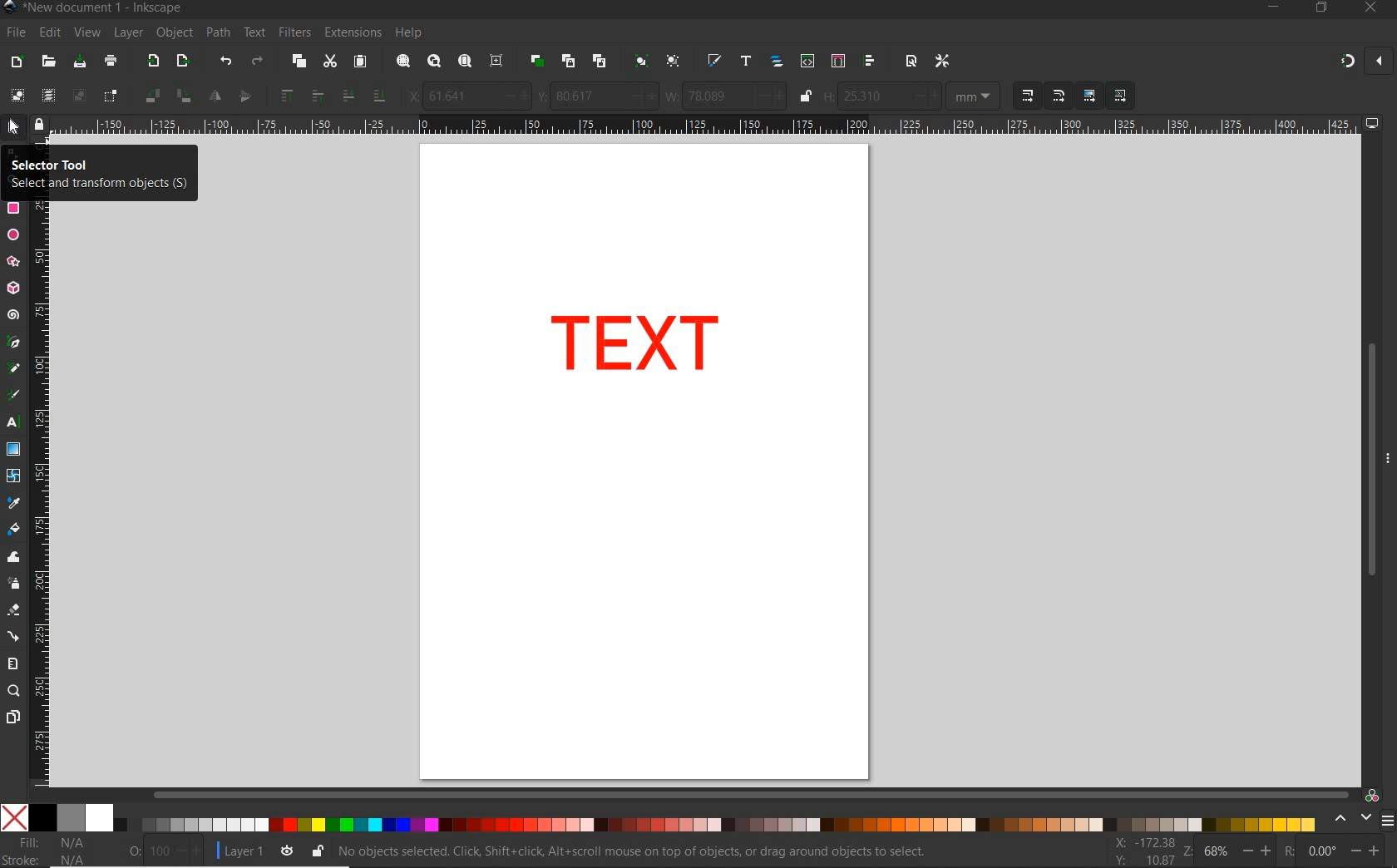  Describe the element at coordinates (49, 32) in the screenshot. I see `edit` at that location.